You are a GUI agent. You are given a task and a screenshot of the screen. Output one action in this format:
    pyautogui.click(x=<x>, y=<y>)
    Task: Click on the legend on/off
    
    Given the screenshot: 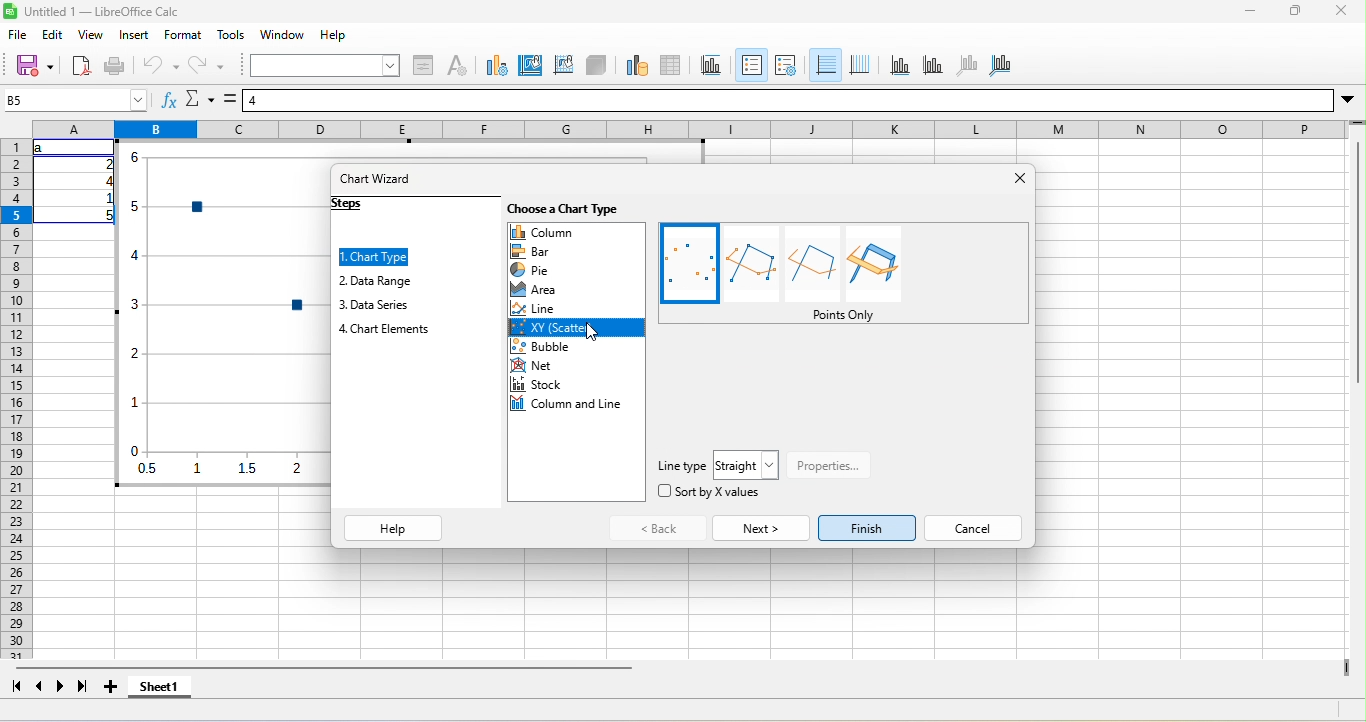 What is the action you would take?
    pyautogui.click(x=752, y=65)
    